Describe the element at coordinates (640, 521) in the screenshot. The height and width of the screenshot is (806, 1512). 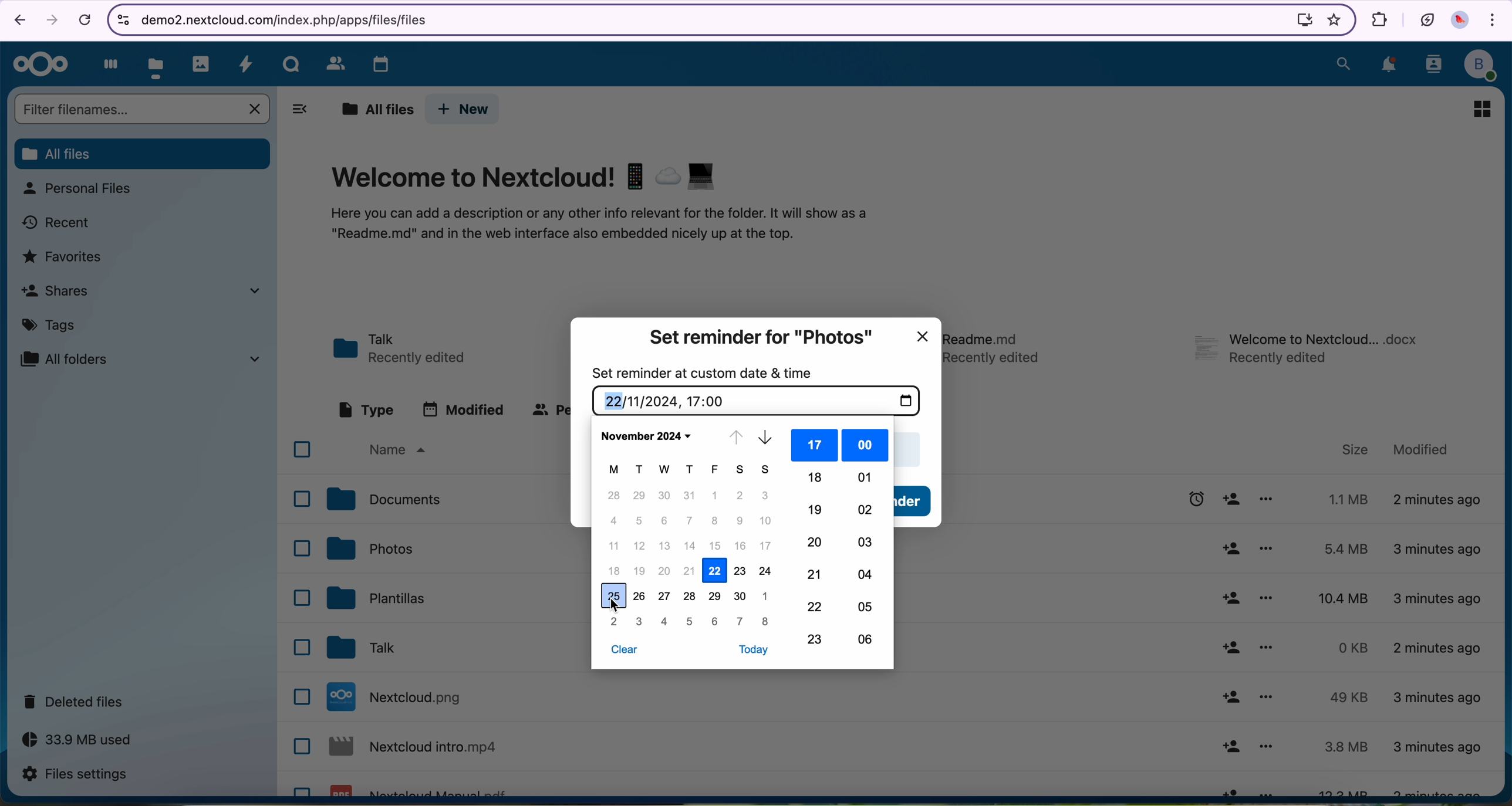
I see `5` at that location.